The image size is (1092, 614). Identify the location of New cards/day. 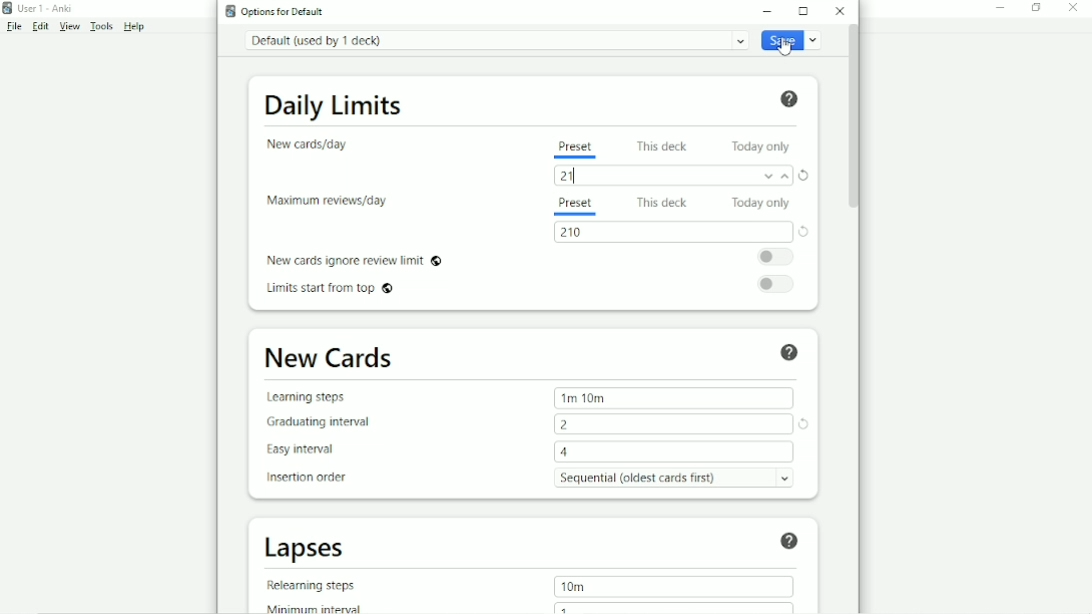
(310, 144).